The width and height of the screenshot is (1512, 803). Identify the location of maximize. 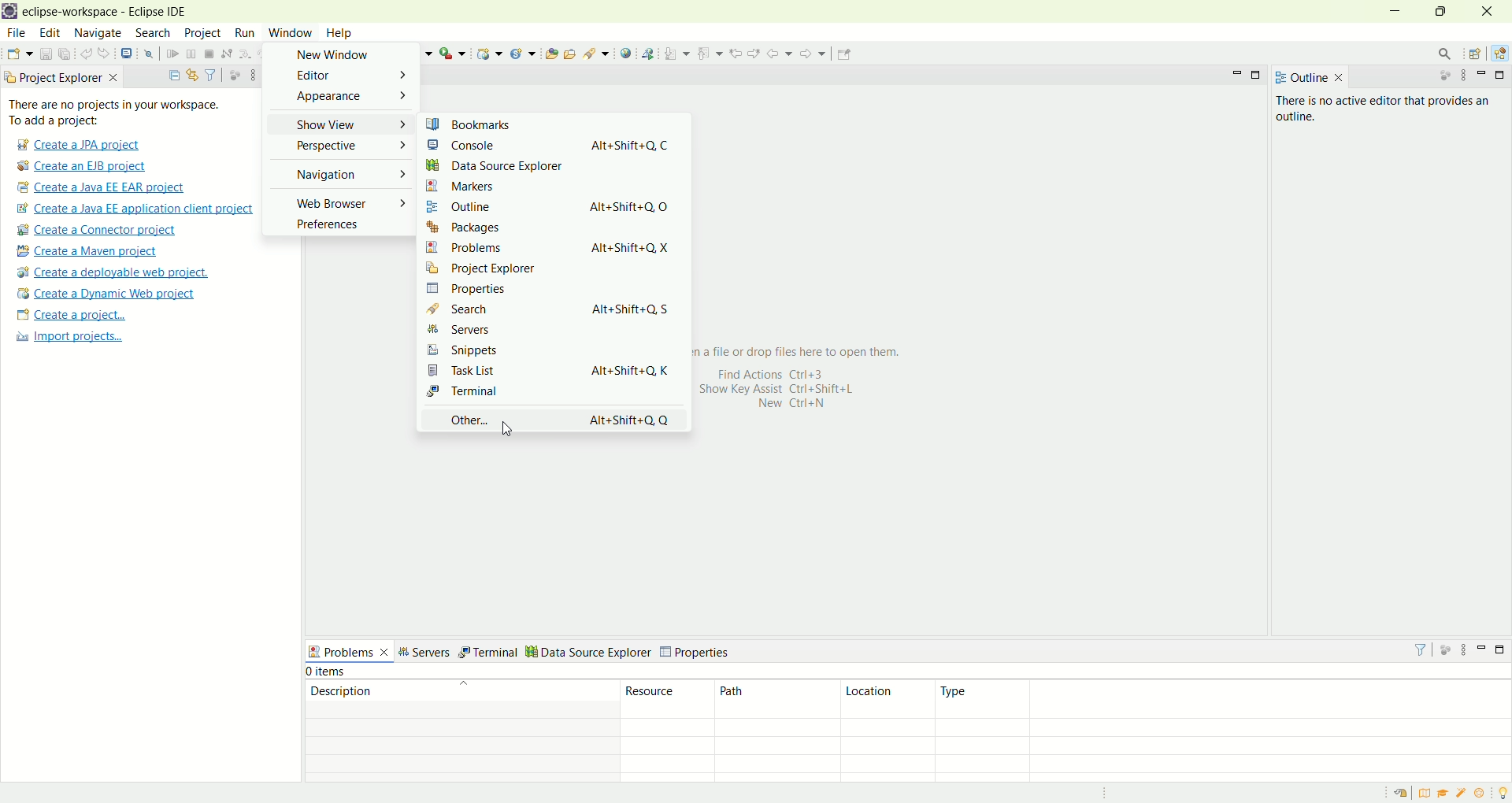
(1501, 76).